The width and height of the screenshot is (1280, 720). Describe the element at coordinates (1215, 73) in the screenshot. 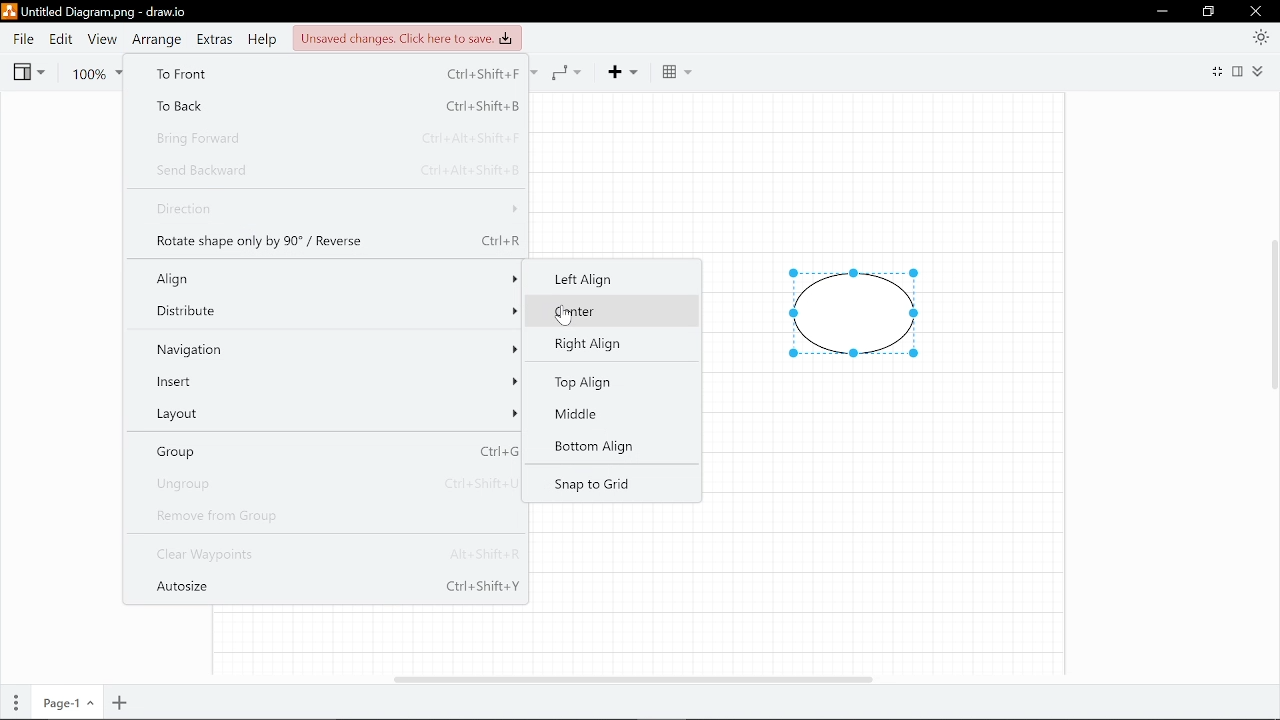

I see `Fullscreen` at that location.